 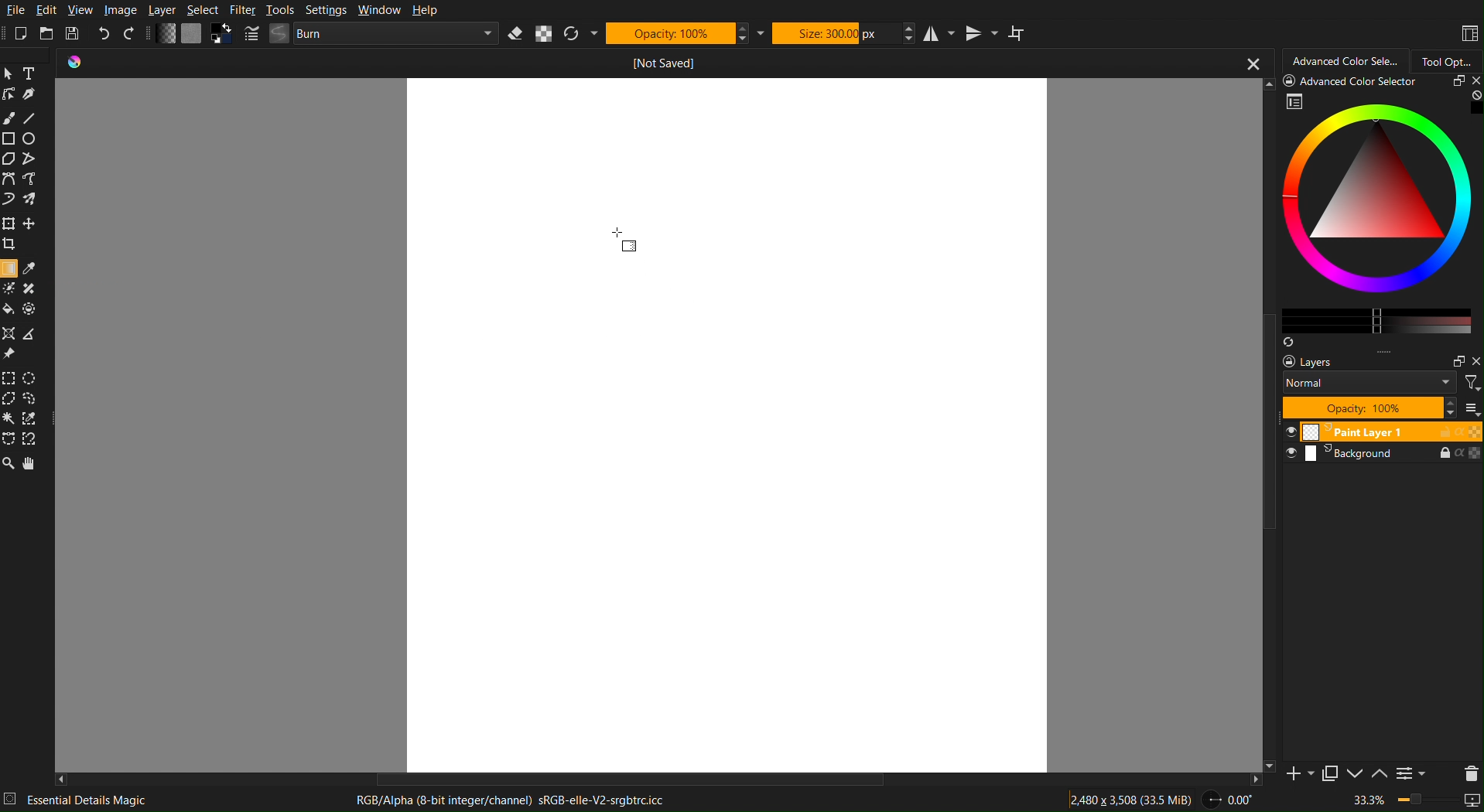 I want to click on Color Tools, so click(x=22, y=299).